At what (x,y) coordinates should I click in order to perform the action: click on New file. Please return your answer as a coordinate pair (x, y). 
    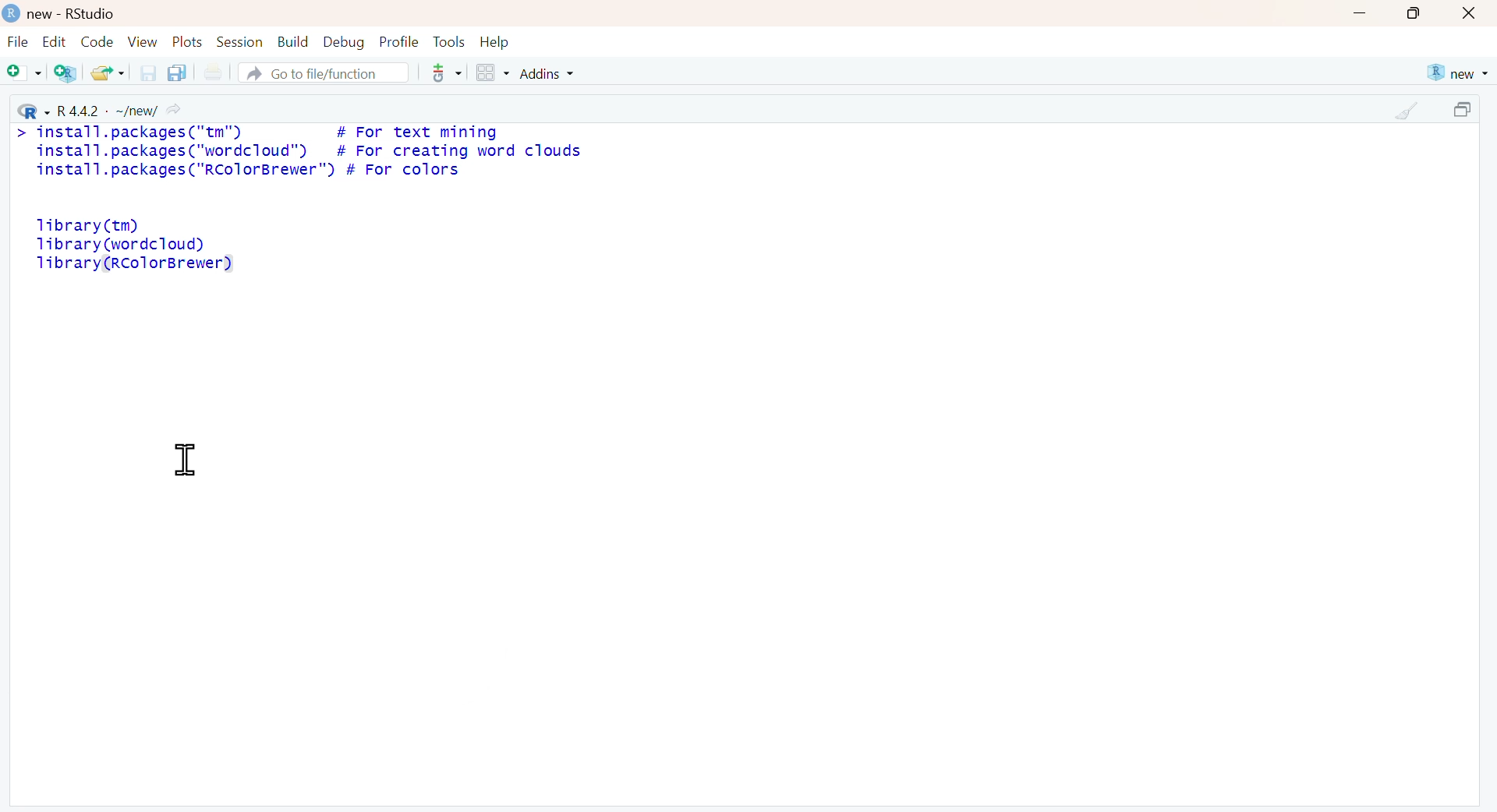
    Looking at the image, I should click on (23, 73).